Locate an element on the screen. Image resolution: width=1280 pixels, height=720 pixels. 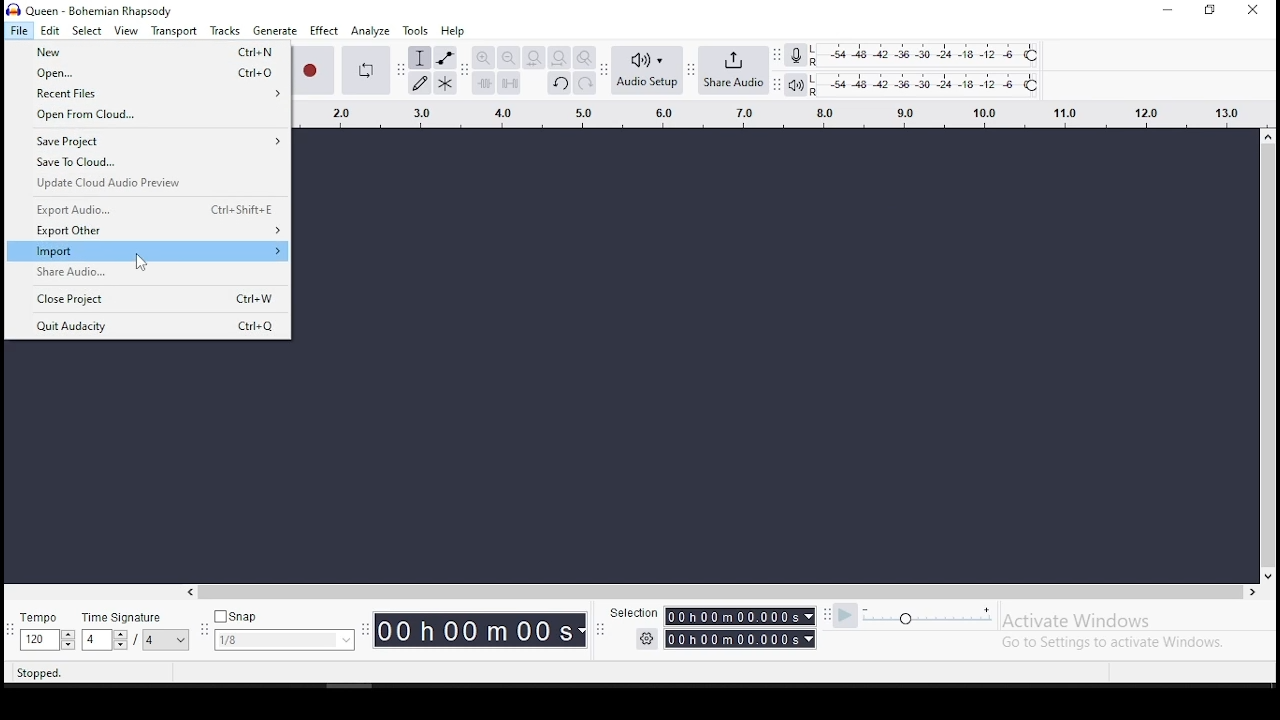
trim audio outside selection is located at coordinates (483, 84).